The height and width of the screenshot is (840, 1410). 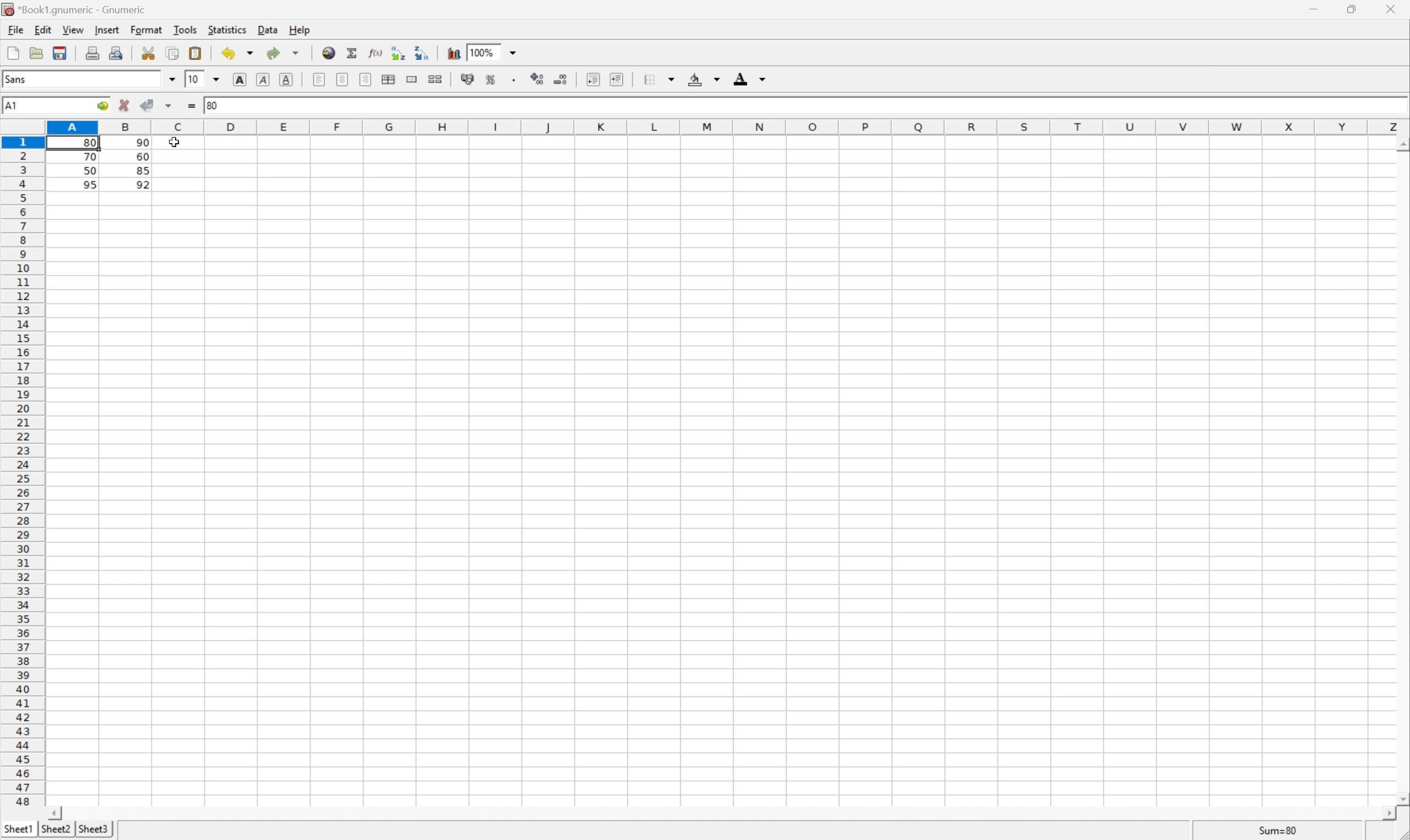 I want to click on Foreground, so click(x=749, y=76).